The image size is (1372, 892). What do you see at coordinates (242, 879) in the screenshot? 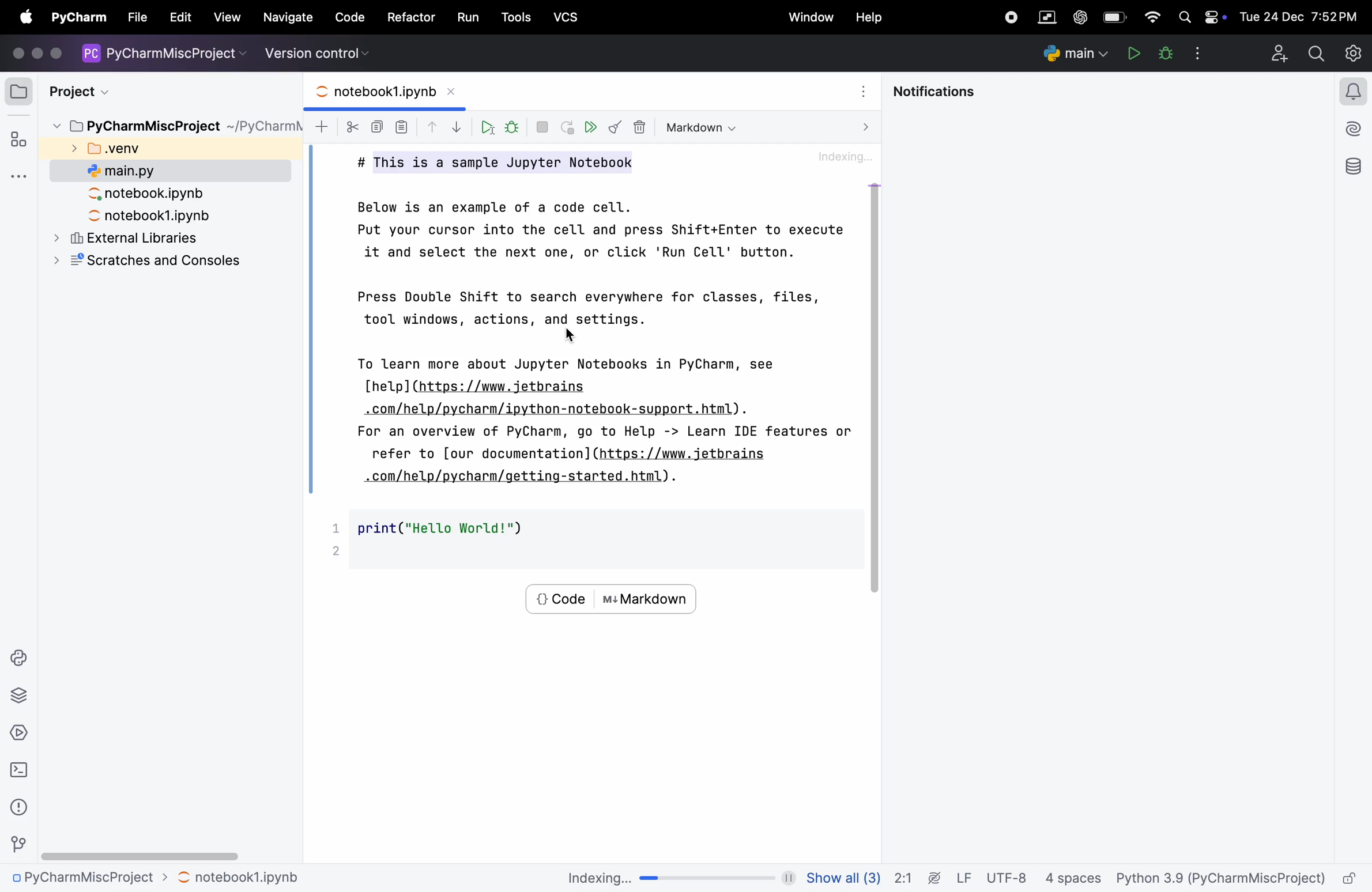
I see `— notebook1 pynb` at bounding box center [242, 879].